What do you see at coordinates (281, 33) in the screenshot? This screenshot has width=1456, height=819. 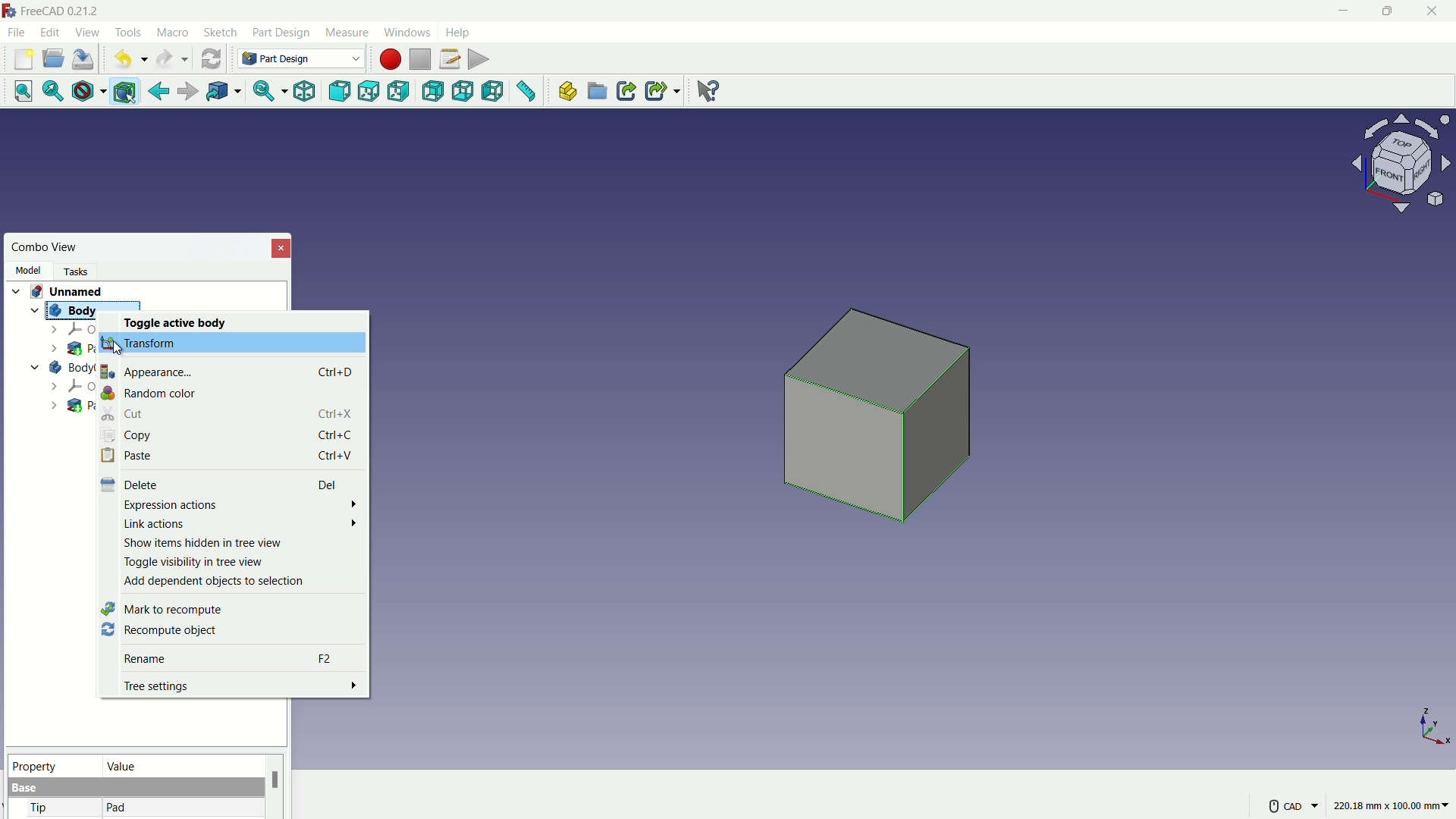 I see `part design` at bounding box center [281, 33].